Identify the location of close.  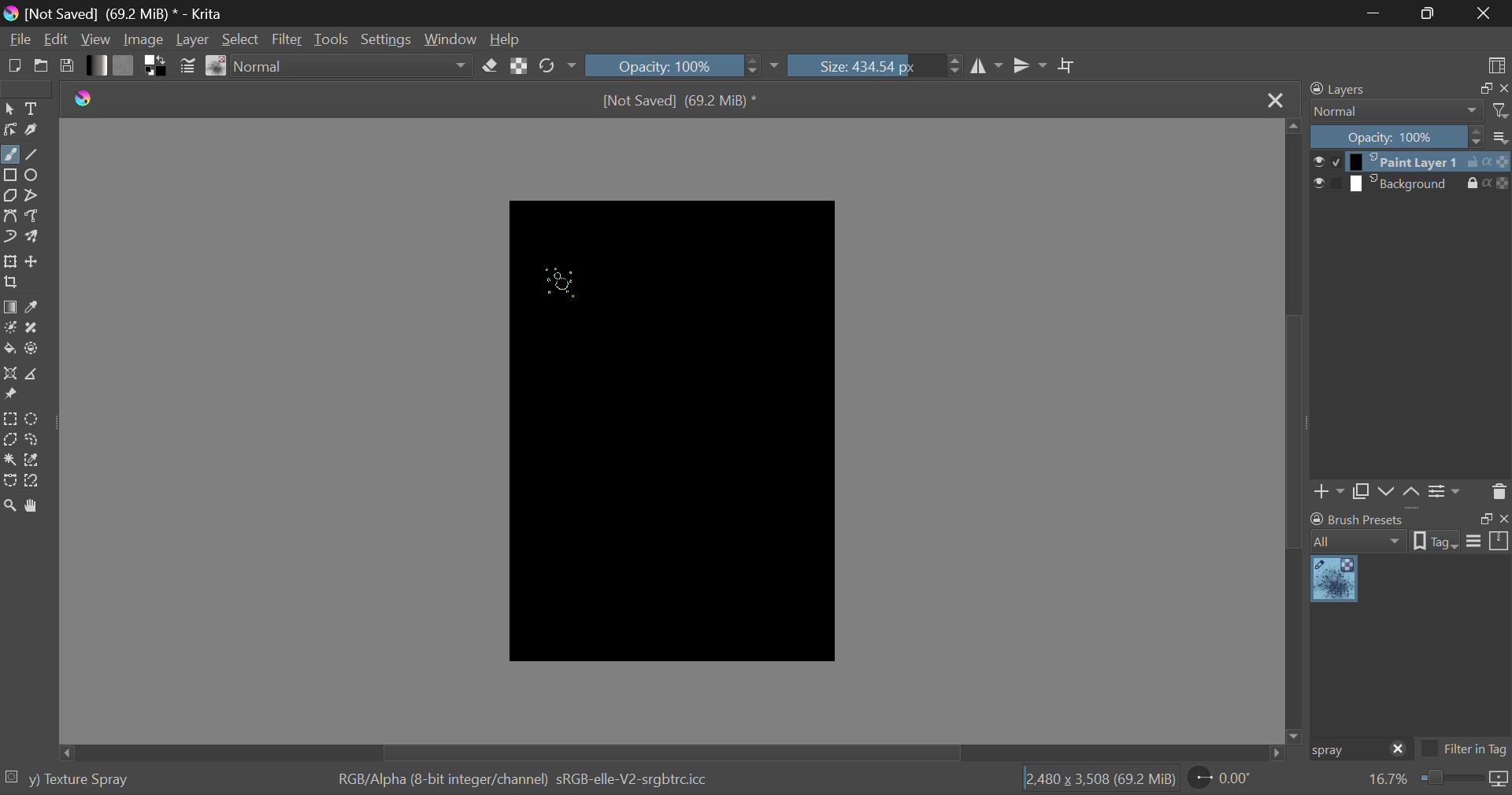
(1503, 89).